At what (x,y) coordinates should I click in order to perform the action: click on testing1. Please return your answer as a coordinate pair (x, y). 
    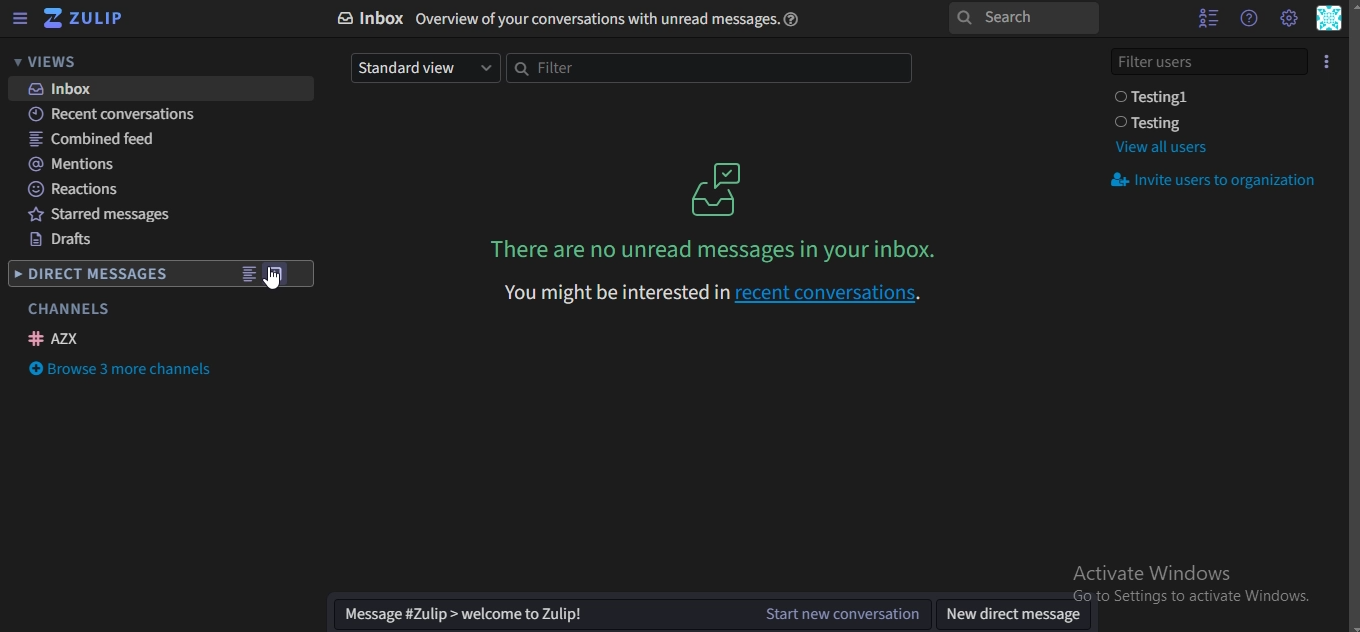
    Looking at the image, I should click on (1156, 97).